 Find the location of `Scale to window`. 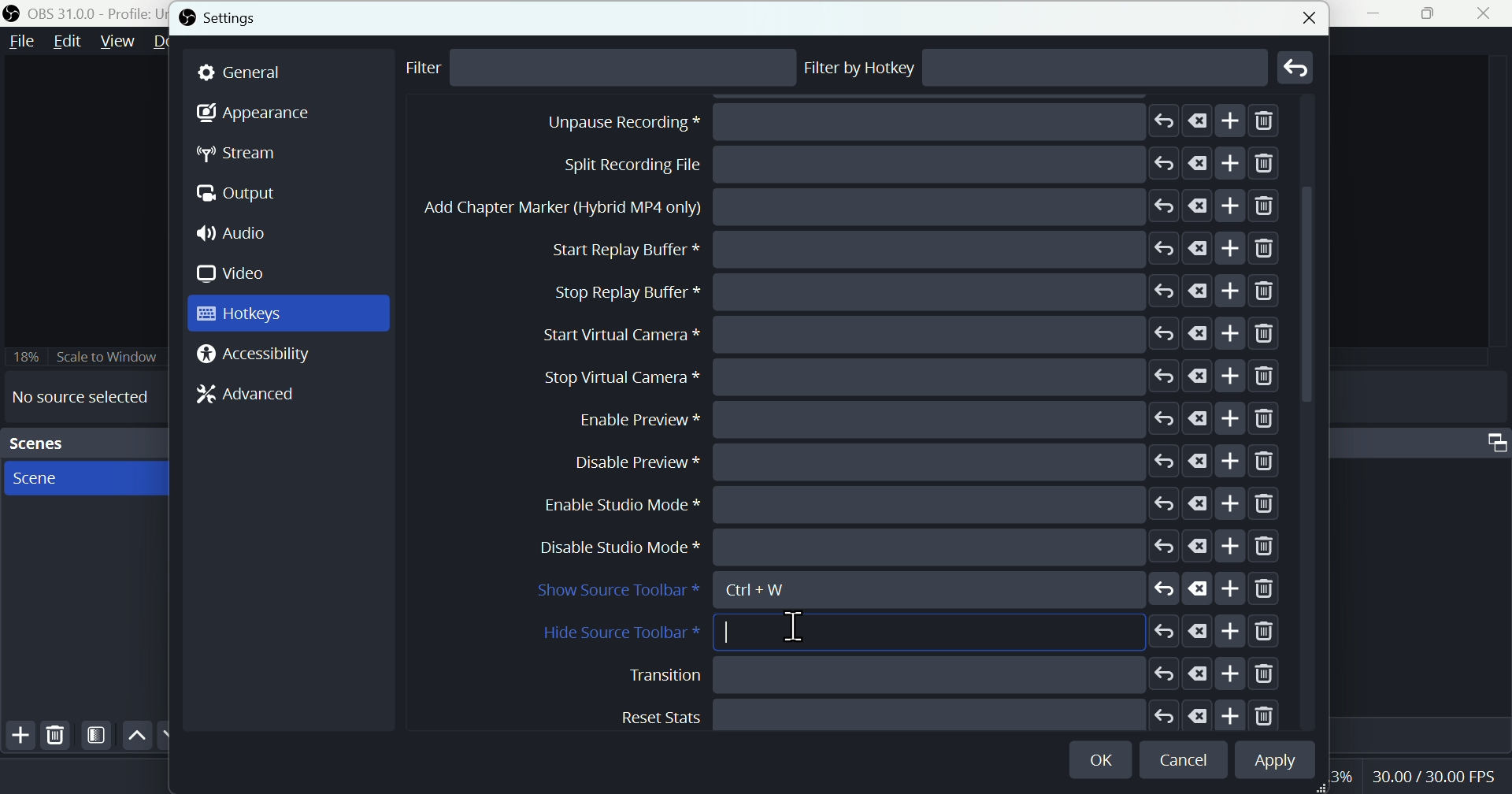

Scale to window is located at coordinates (84, 356).